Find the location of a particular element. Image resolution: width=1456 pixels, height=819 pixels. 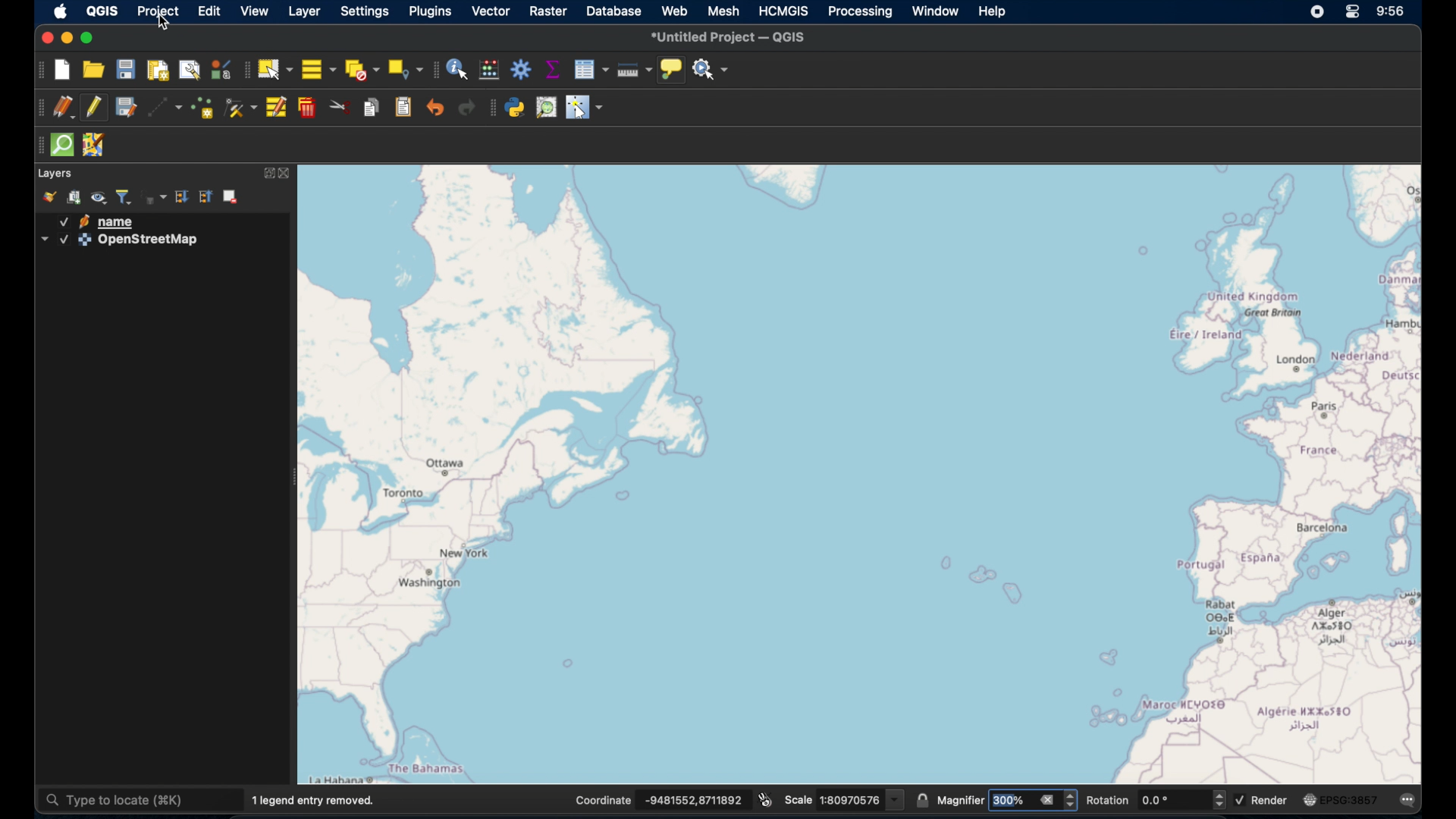

layer is located at coordinates (56, 174).